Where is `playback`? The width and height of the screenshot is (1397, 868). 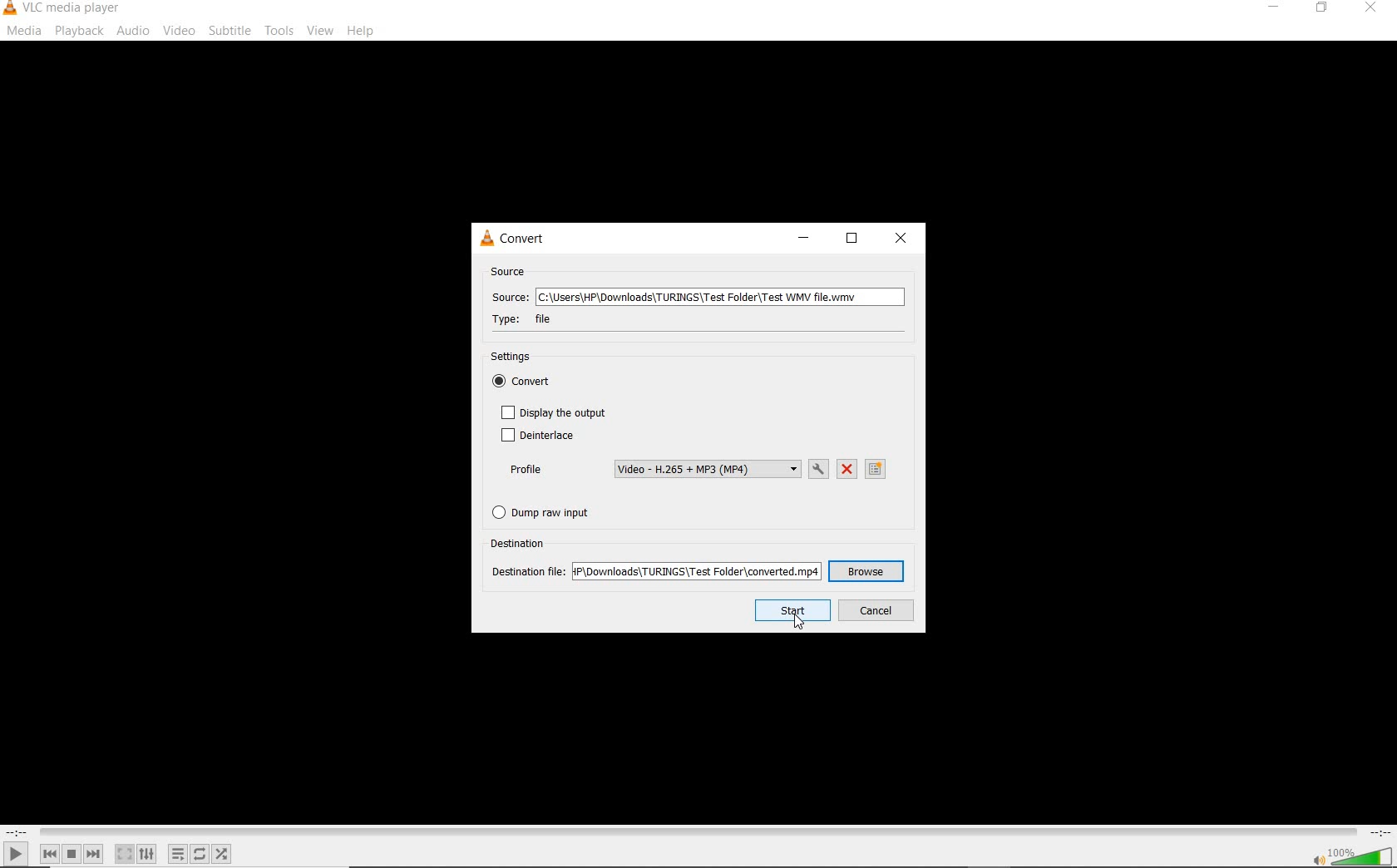 playback is located at coordinates (79, 31).